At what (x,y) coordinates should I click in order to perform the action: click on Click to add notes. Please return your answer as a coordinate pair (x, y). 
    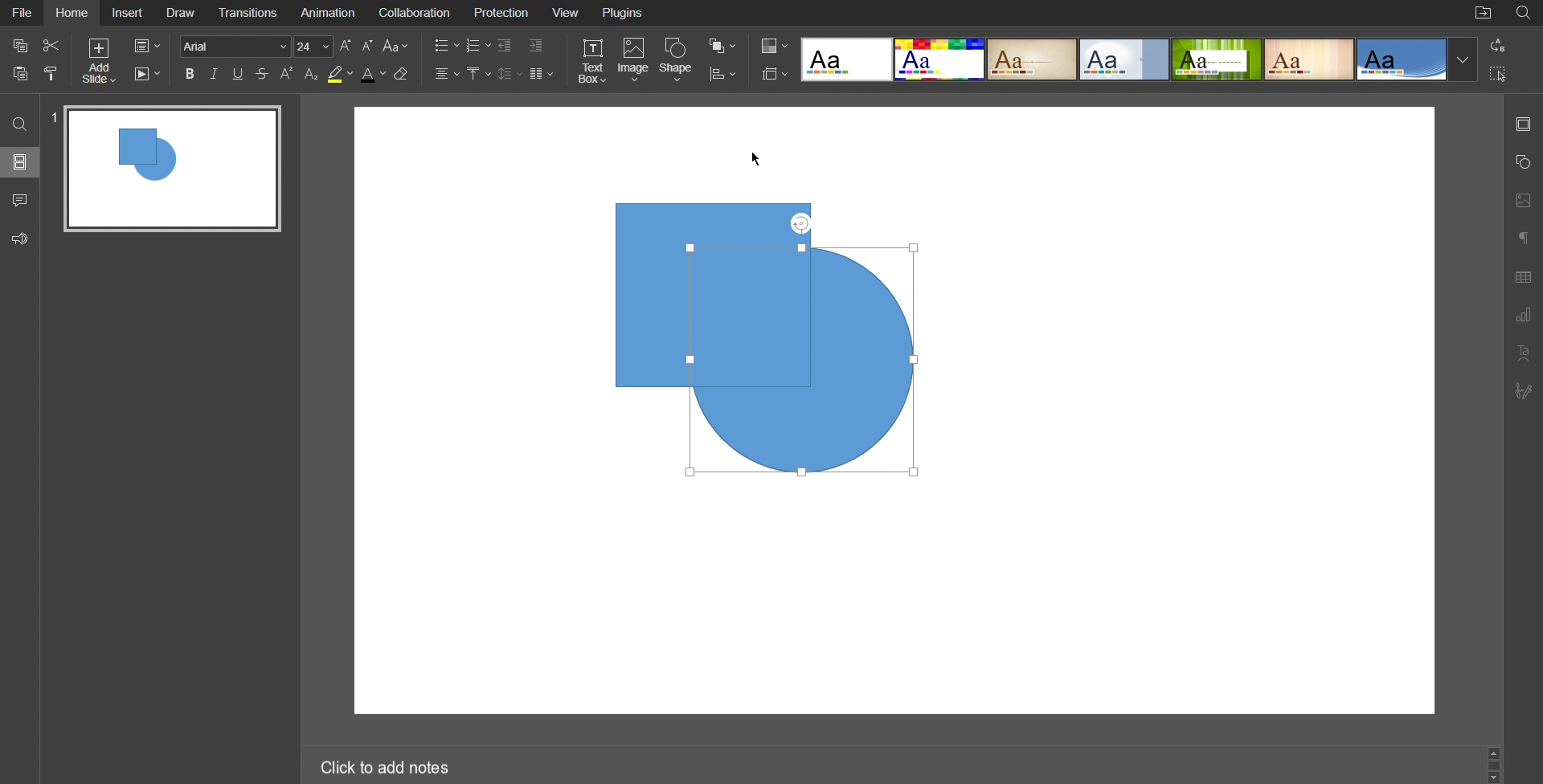
    Looking at the image, I should click on (385, 766).